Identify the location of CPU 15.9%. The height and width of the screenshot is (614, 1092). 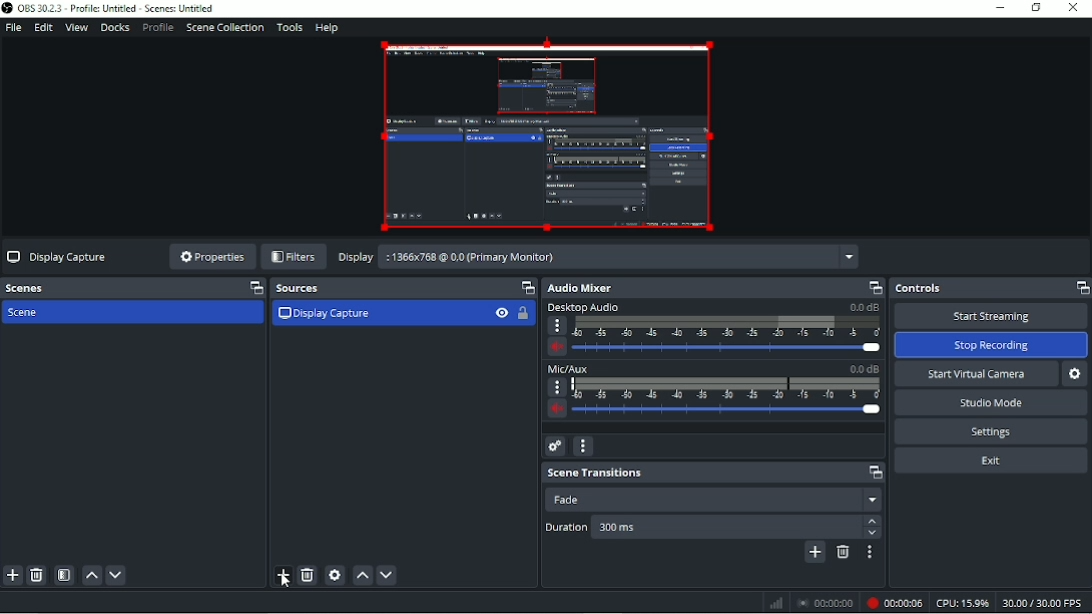
(962, 602).